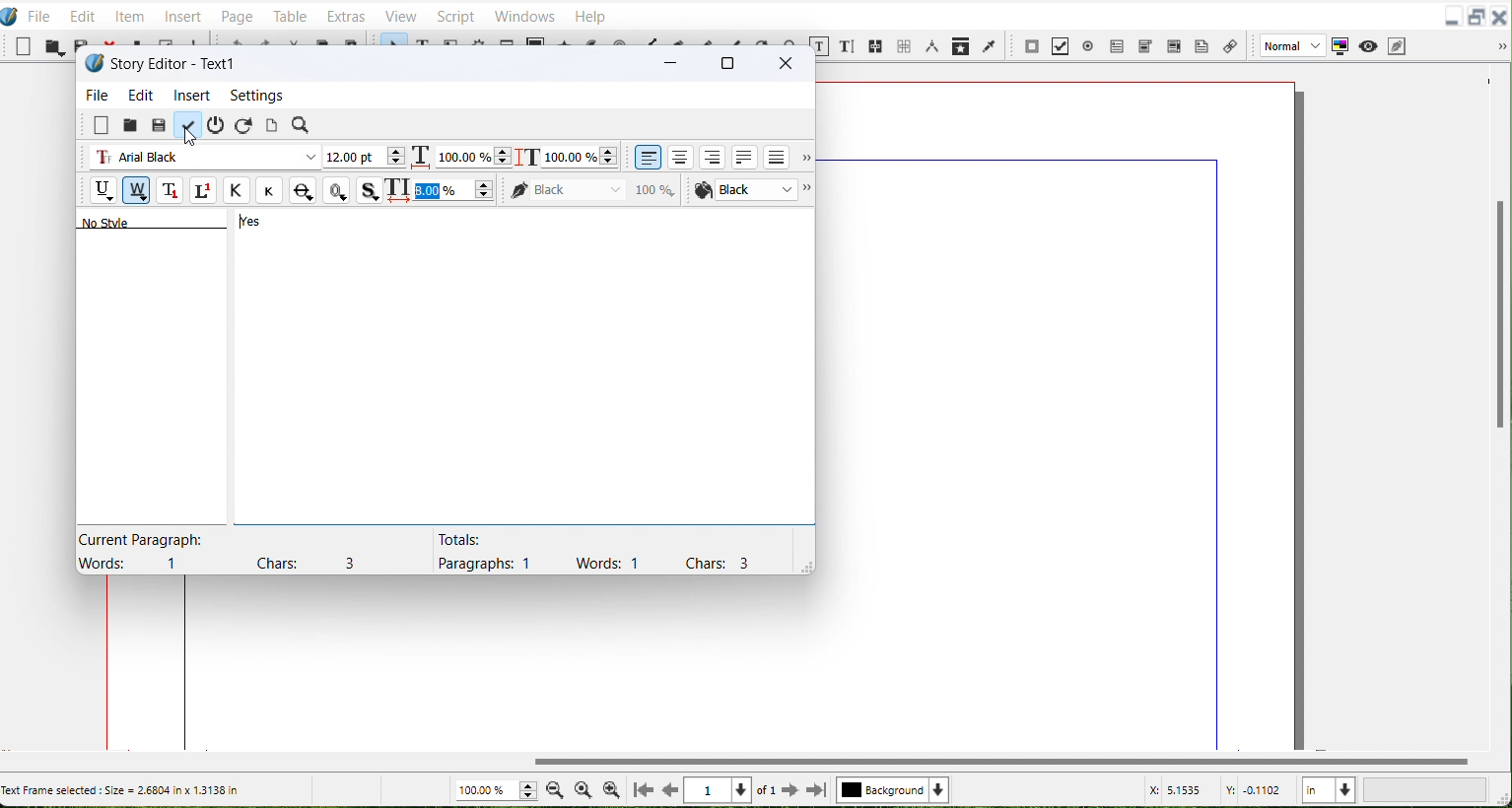  What do you see at coordinates (820, 45) in the screenshot?
I see `Edit content` at bounding box center [820, 45].